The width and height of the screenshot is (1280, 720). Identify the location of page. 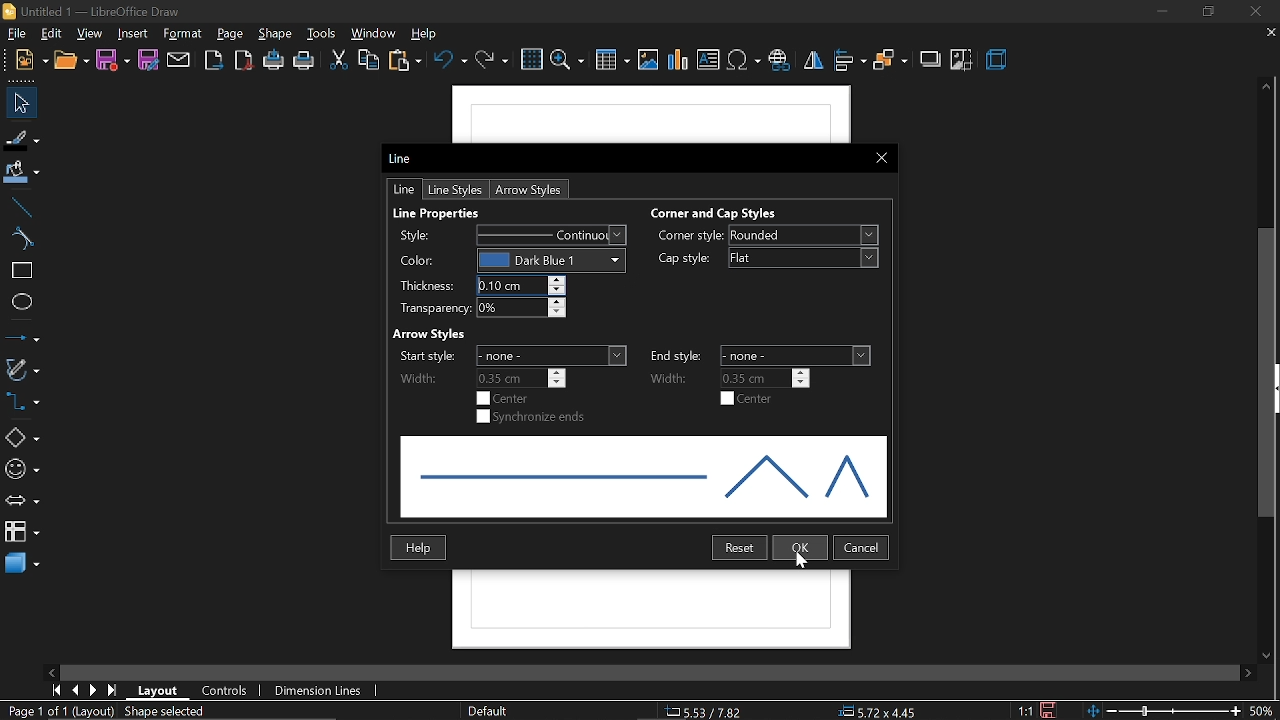
(230, 34).